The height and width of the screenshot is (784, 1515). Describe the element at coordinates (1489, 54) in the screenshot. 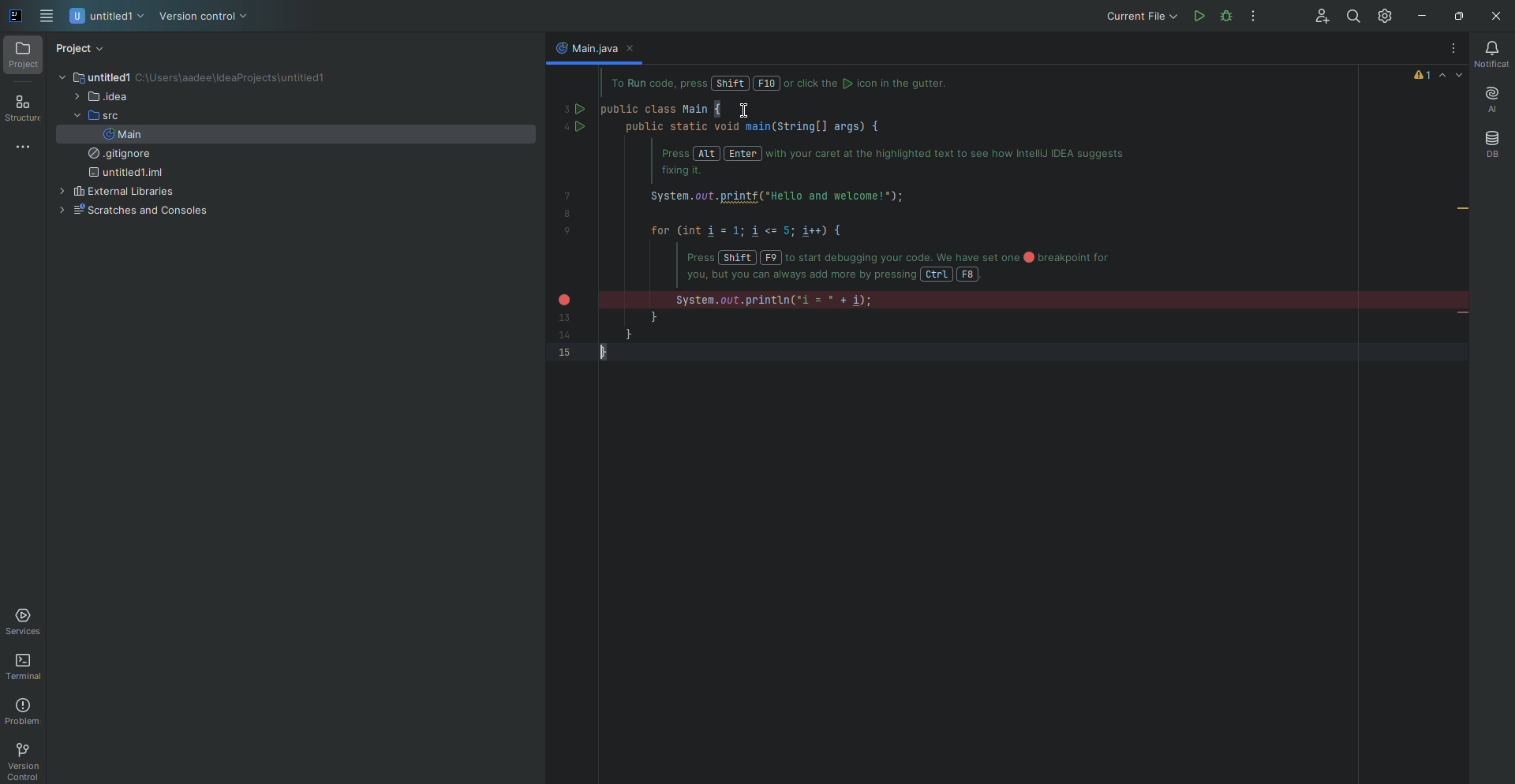

I see `Notifications` at that location.